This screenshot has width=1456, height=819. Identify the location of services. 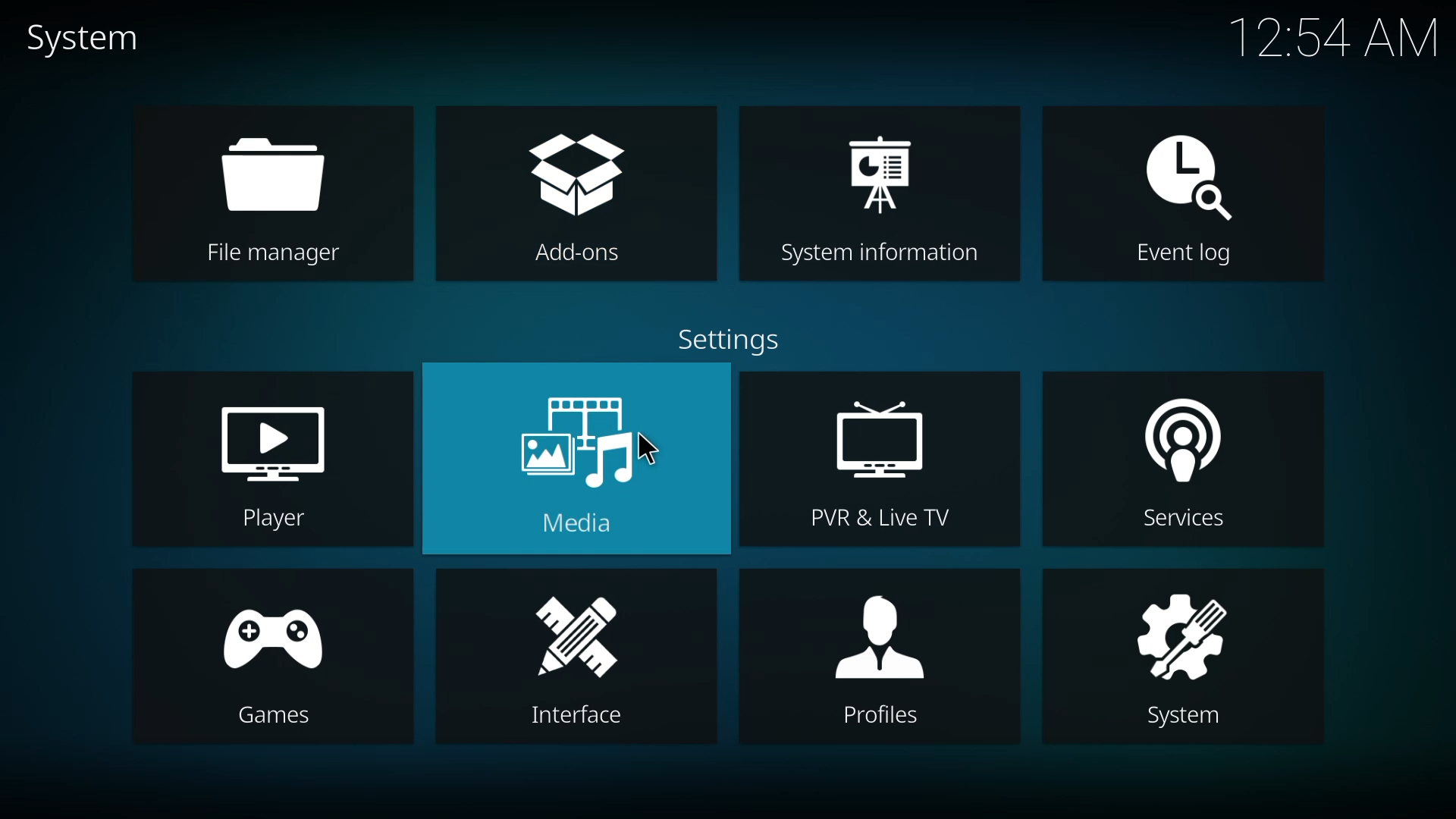
(1177, 460).